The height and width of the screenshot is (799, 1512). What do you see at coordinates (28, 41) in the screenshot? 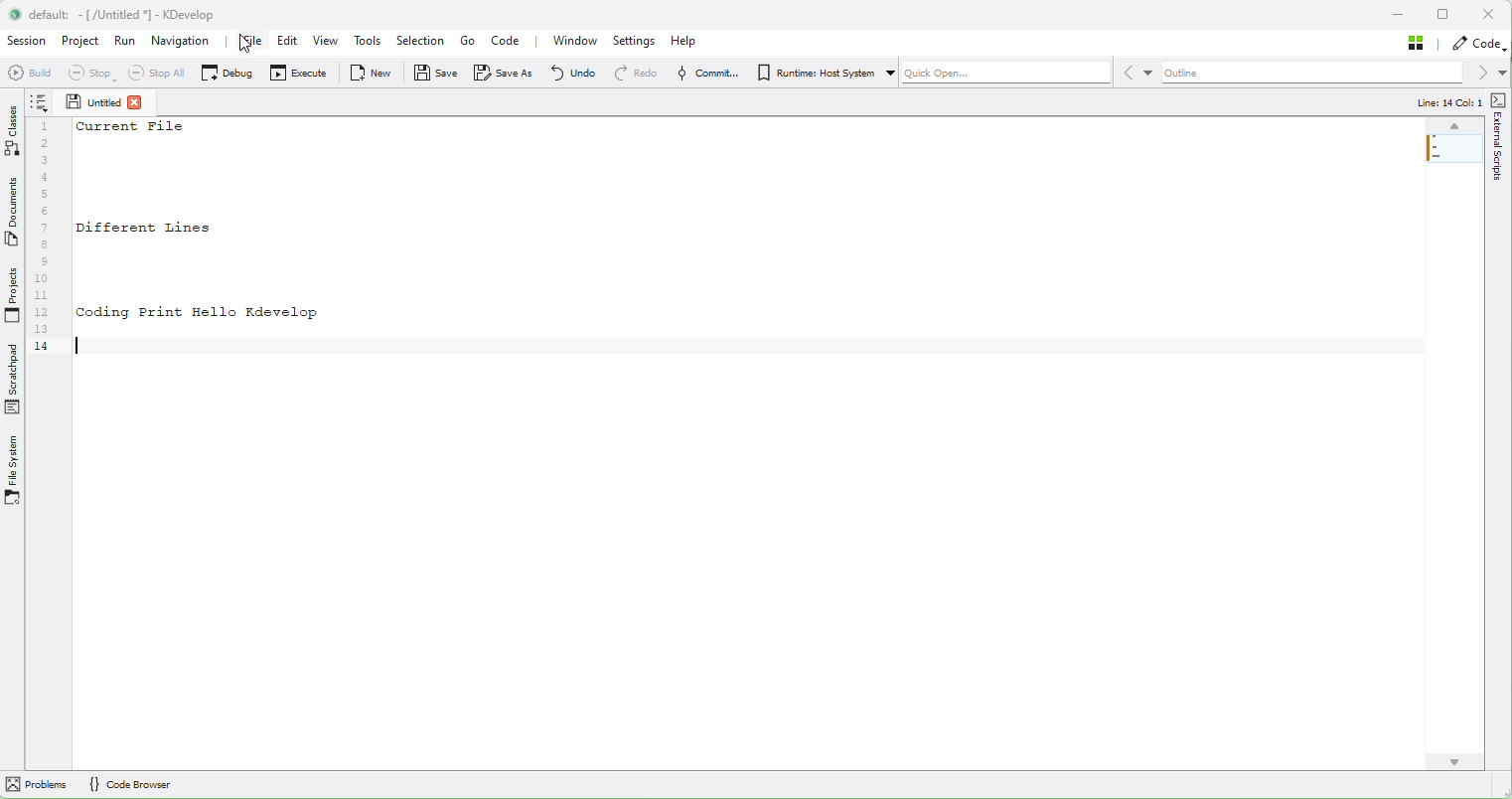
I see `Session` at bounding box center [28, 41].